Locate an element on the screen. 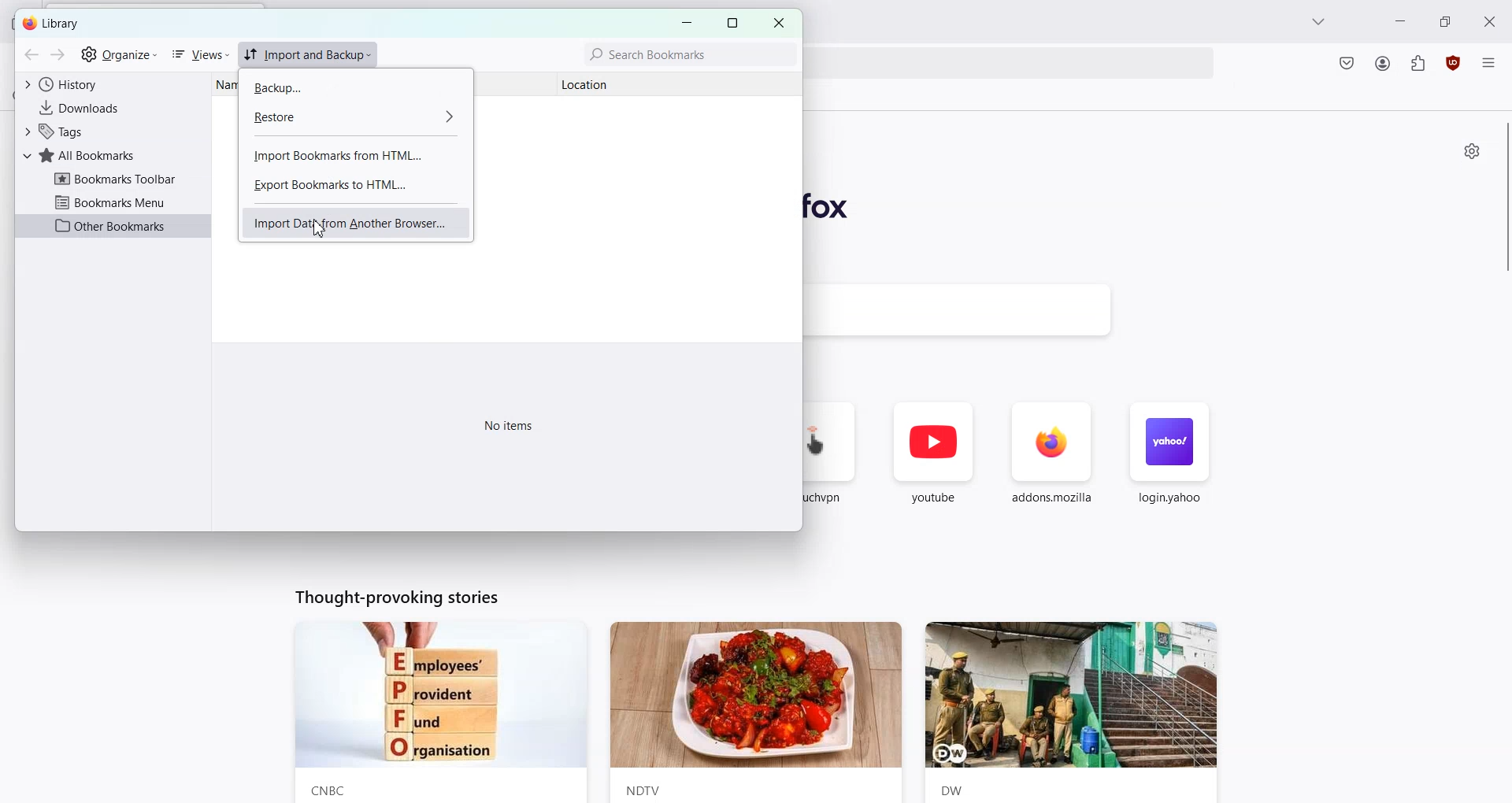 The image size is (1512, 803). Account is located at coordinates (1383, 64).